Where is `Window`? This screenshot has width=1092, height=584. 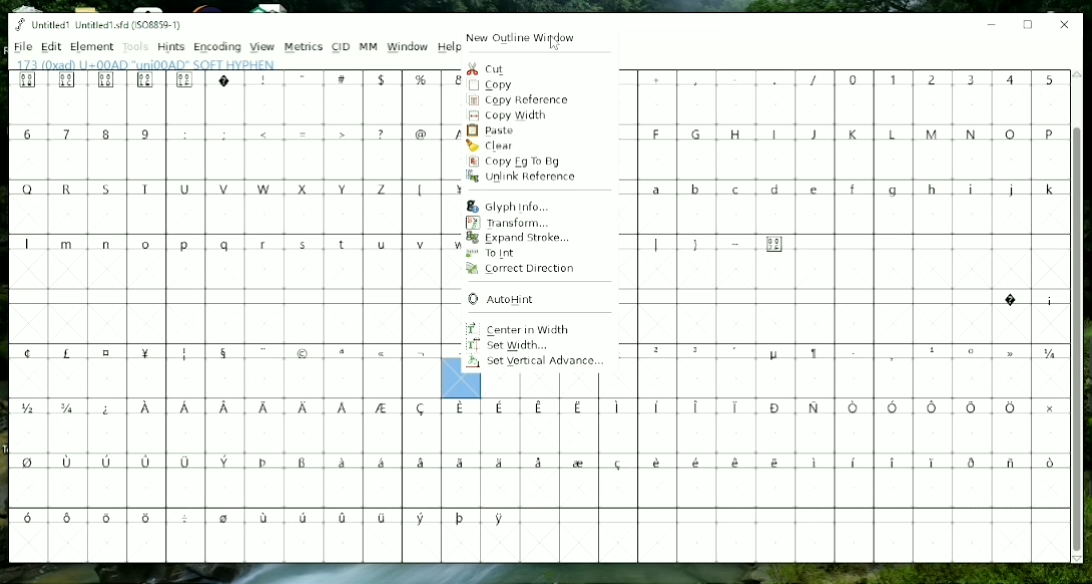
Window is located at coordinates (407, 47).